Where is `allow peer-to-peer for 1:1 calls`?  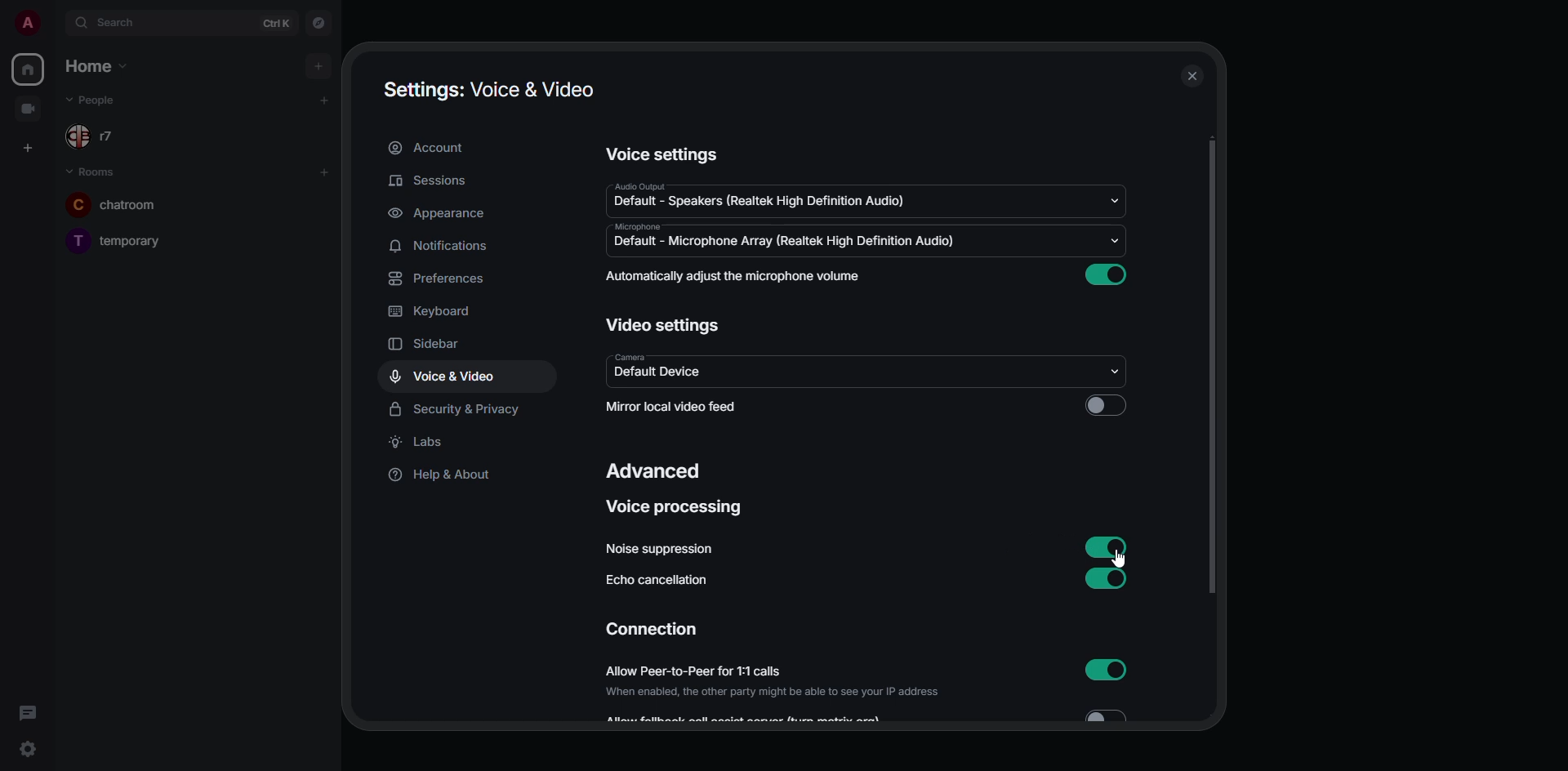 allow peer-to-peer for 1:1 calls is located at coordinates (777, 682).